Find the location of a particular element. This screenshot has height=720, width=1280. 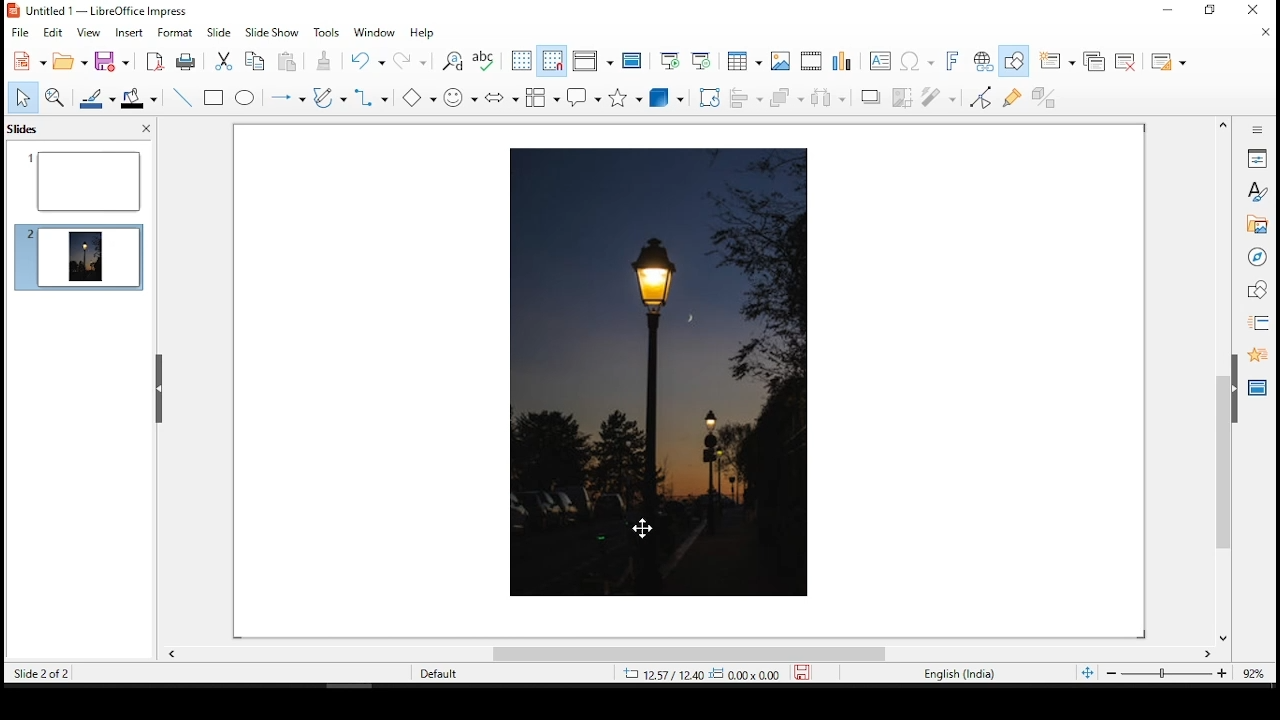

flowchart is located at coordinates (543, 97).